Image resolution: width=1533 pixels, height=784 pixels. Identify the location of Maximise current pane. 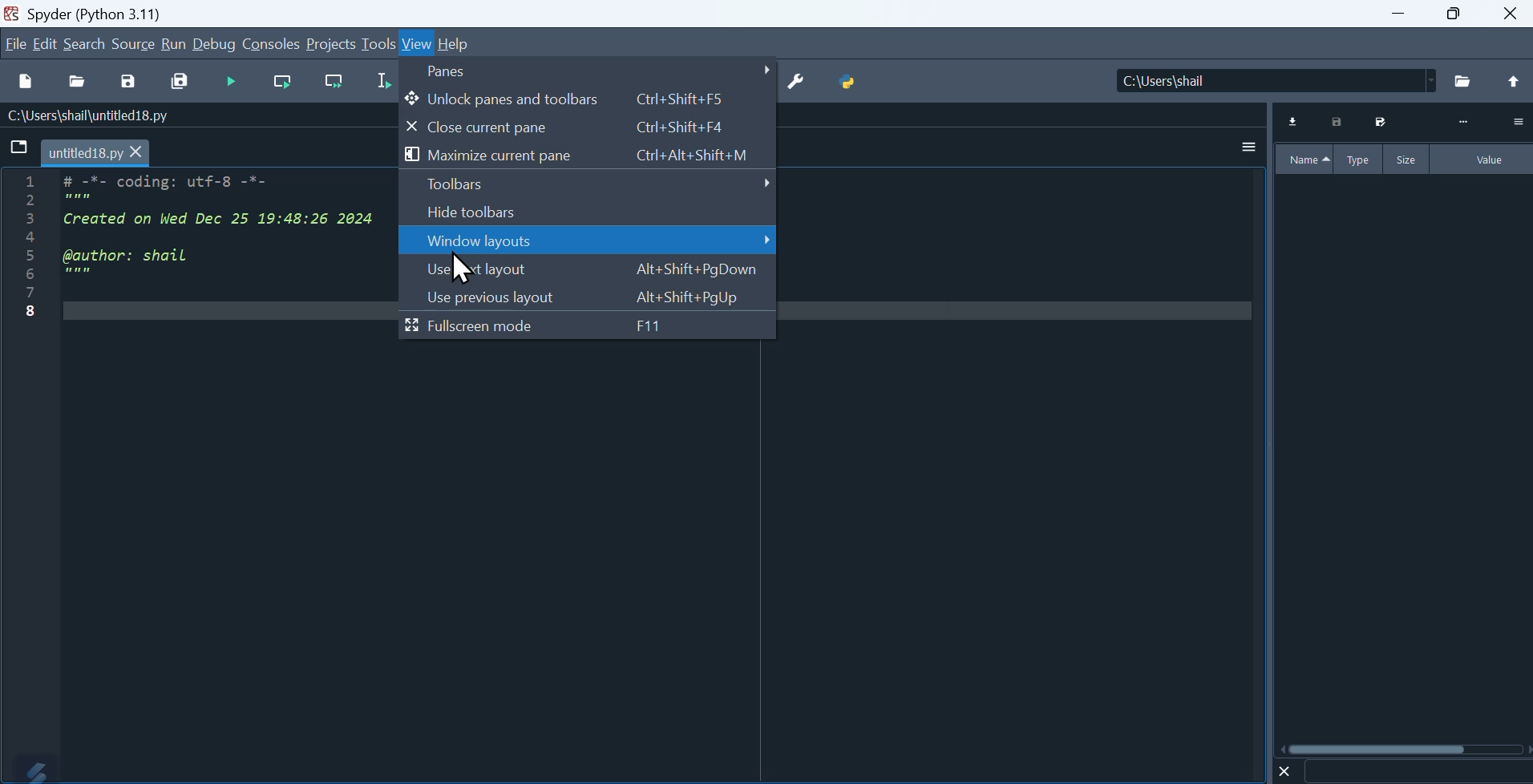
(586, 156).